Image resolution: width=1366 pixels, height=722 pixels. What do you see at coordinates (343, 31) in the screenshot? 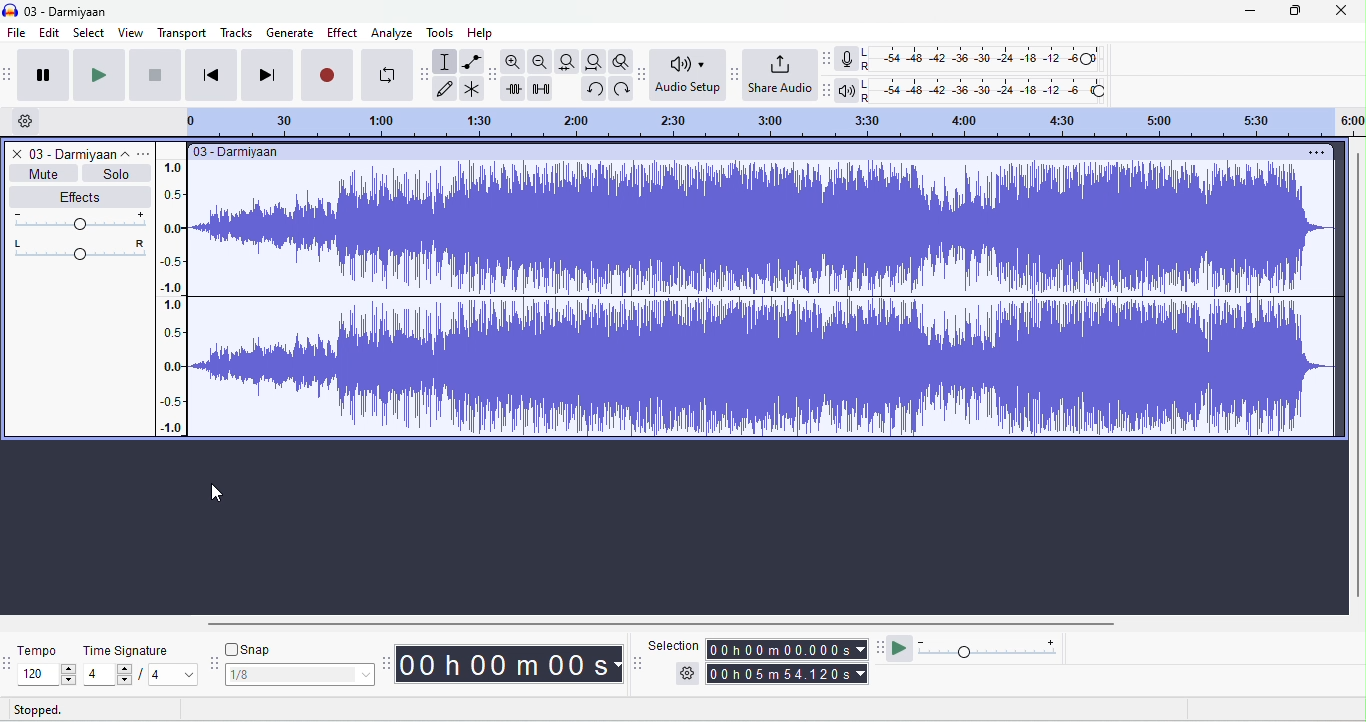
I see `effect` at bounding box center [343, 31].